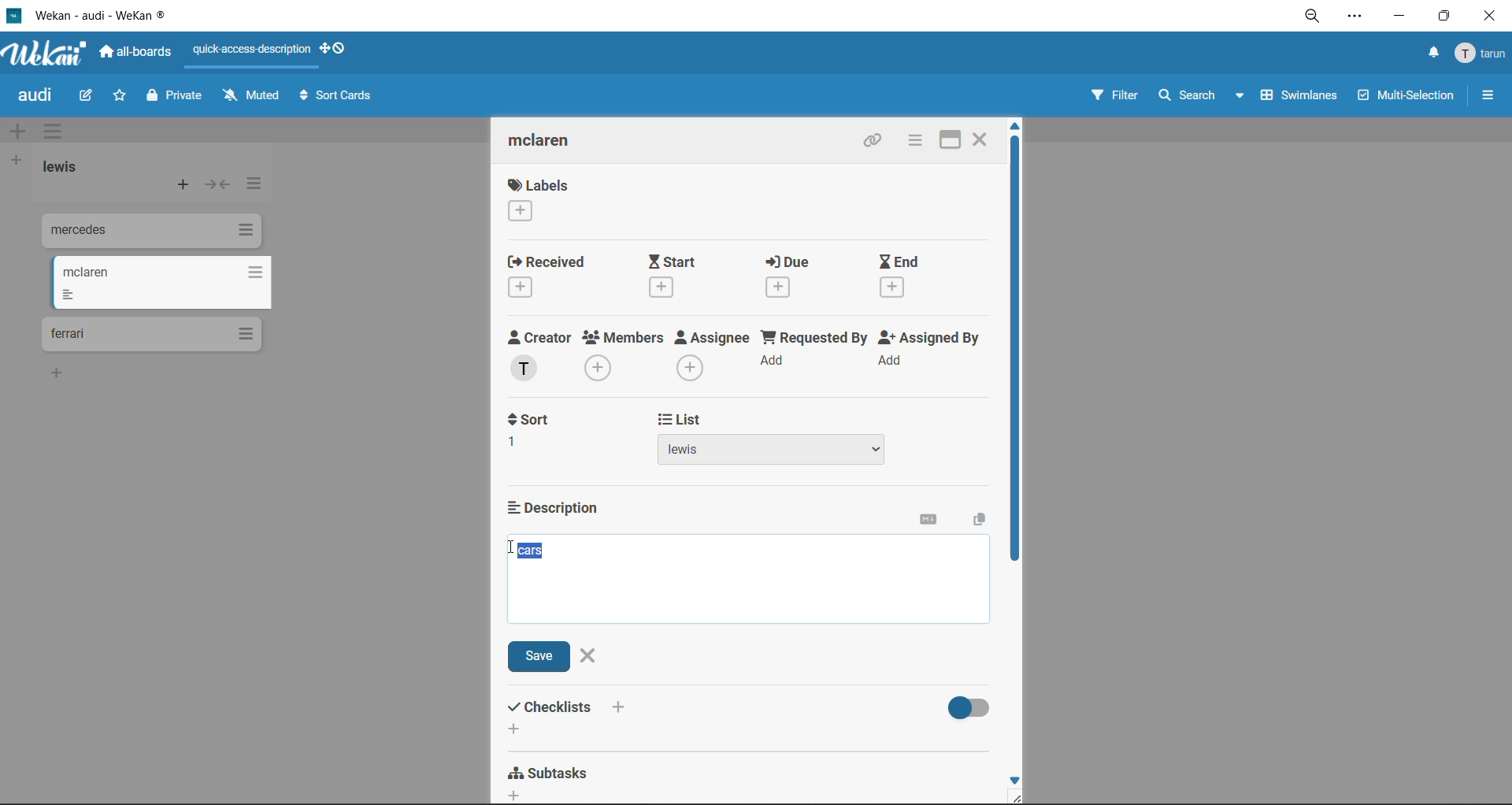 This screenshot has height=805, width=1512. What do you see at coordinates (47, 55) in the screenshot?
I see `app logo` at bounding box center [47, 55].